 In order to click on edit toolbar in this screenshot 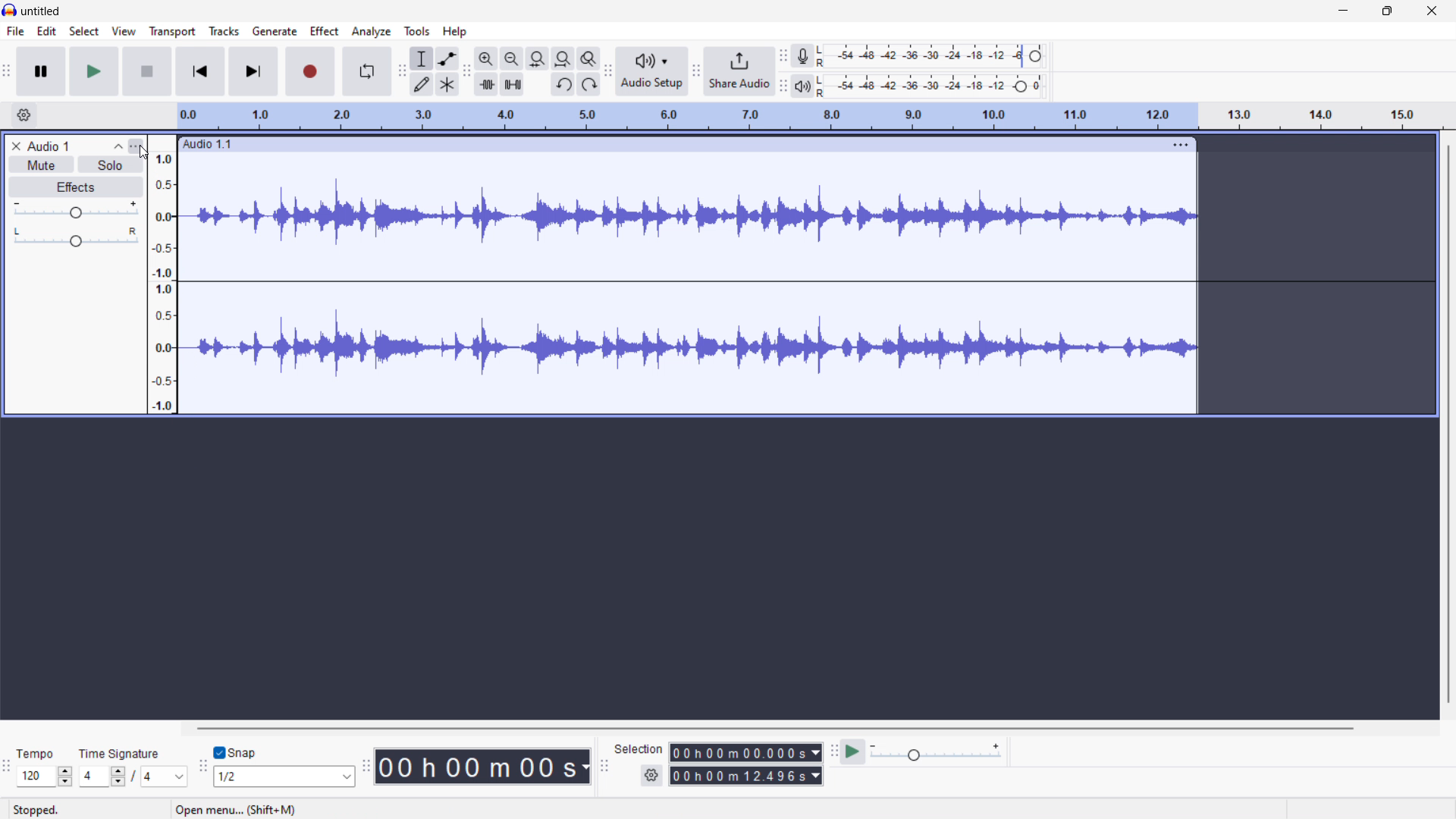, I will do `click(467, 71)`.